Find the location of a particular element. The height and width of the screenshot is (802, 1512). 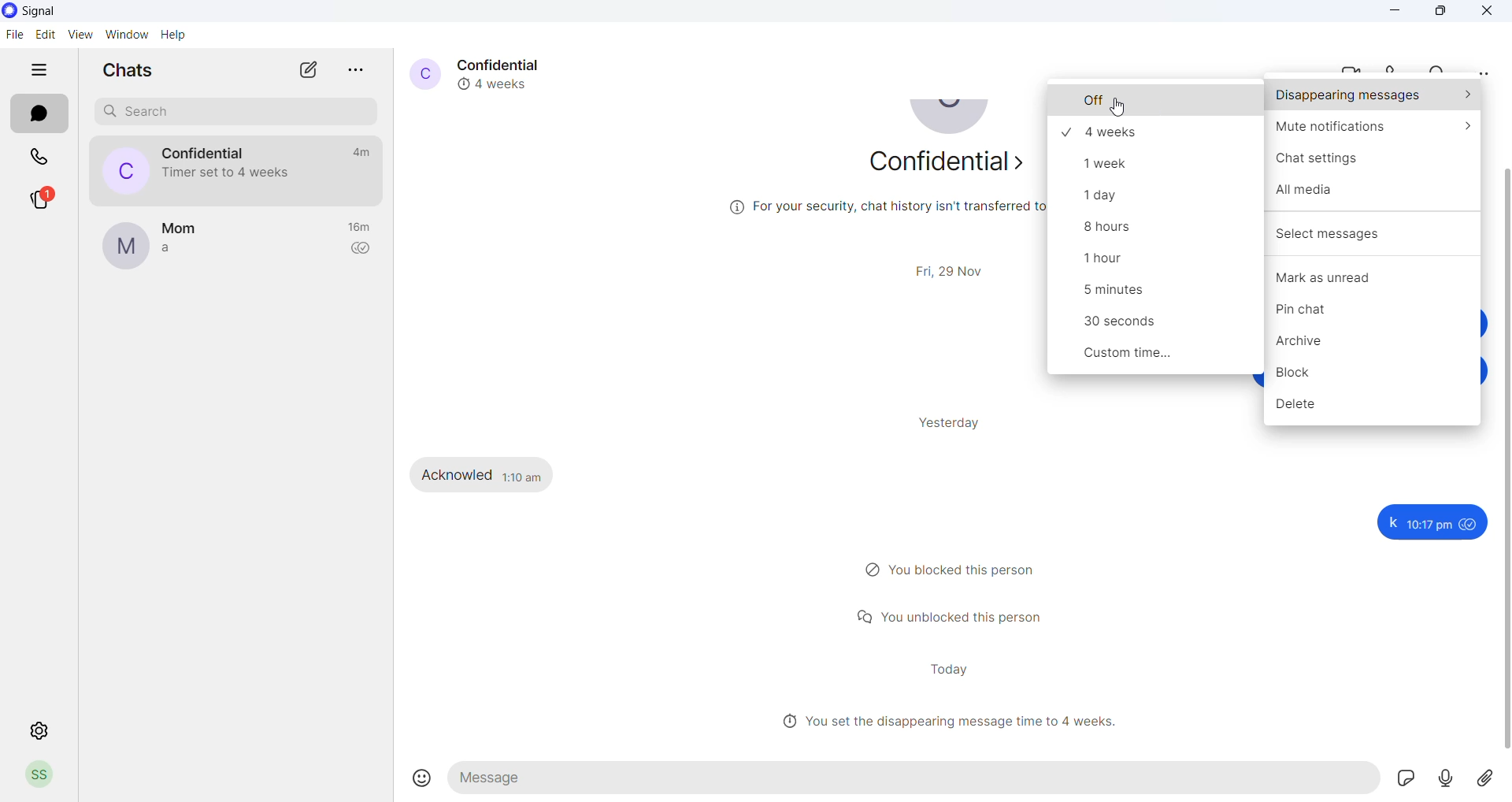

all media is located at coordinates (1374, 199).